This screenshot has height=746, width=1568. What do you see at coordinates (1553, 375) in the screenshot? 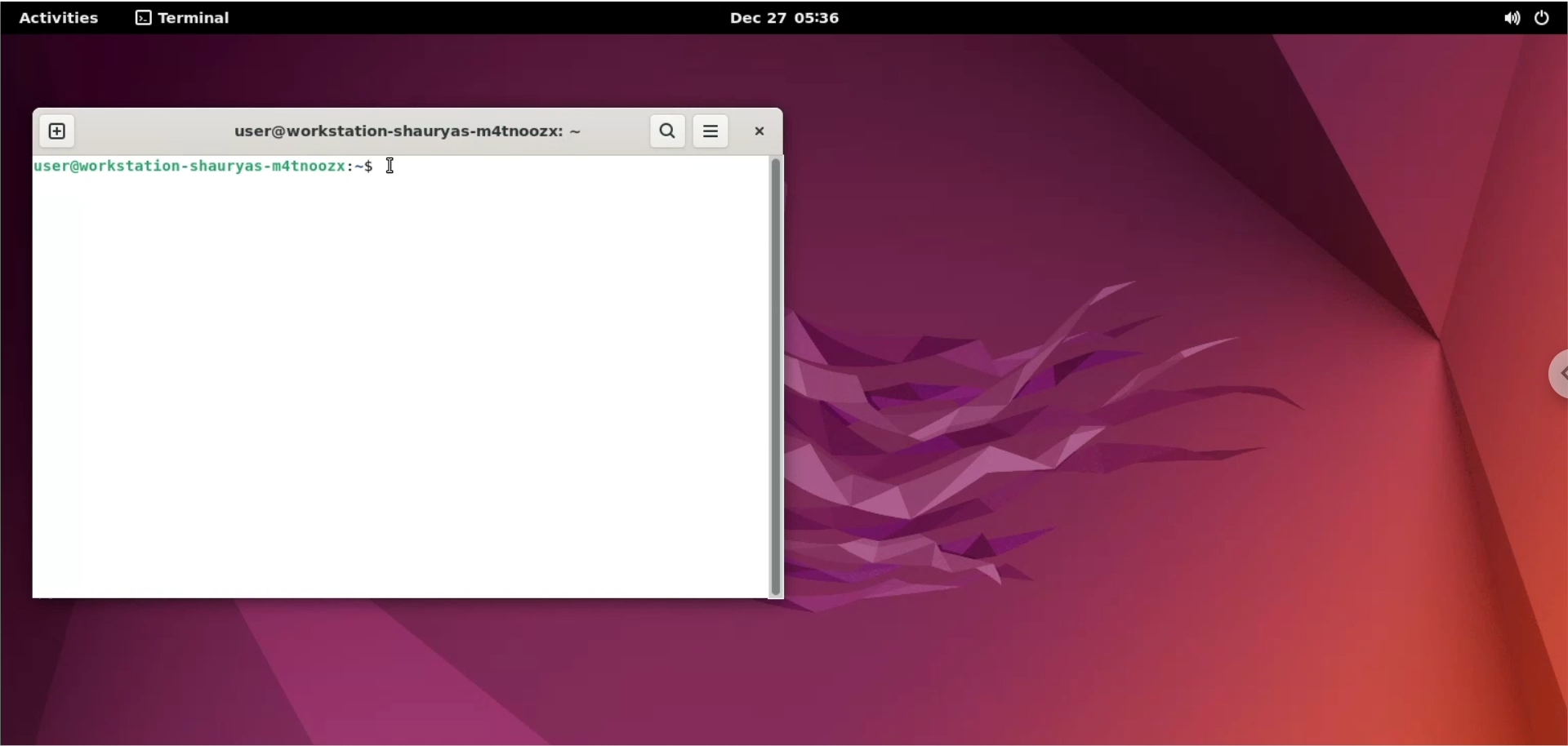
I see `chrome options` at bounding box center [1553, 375].